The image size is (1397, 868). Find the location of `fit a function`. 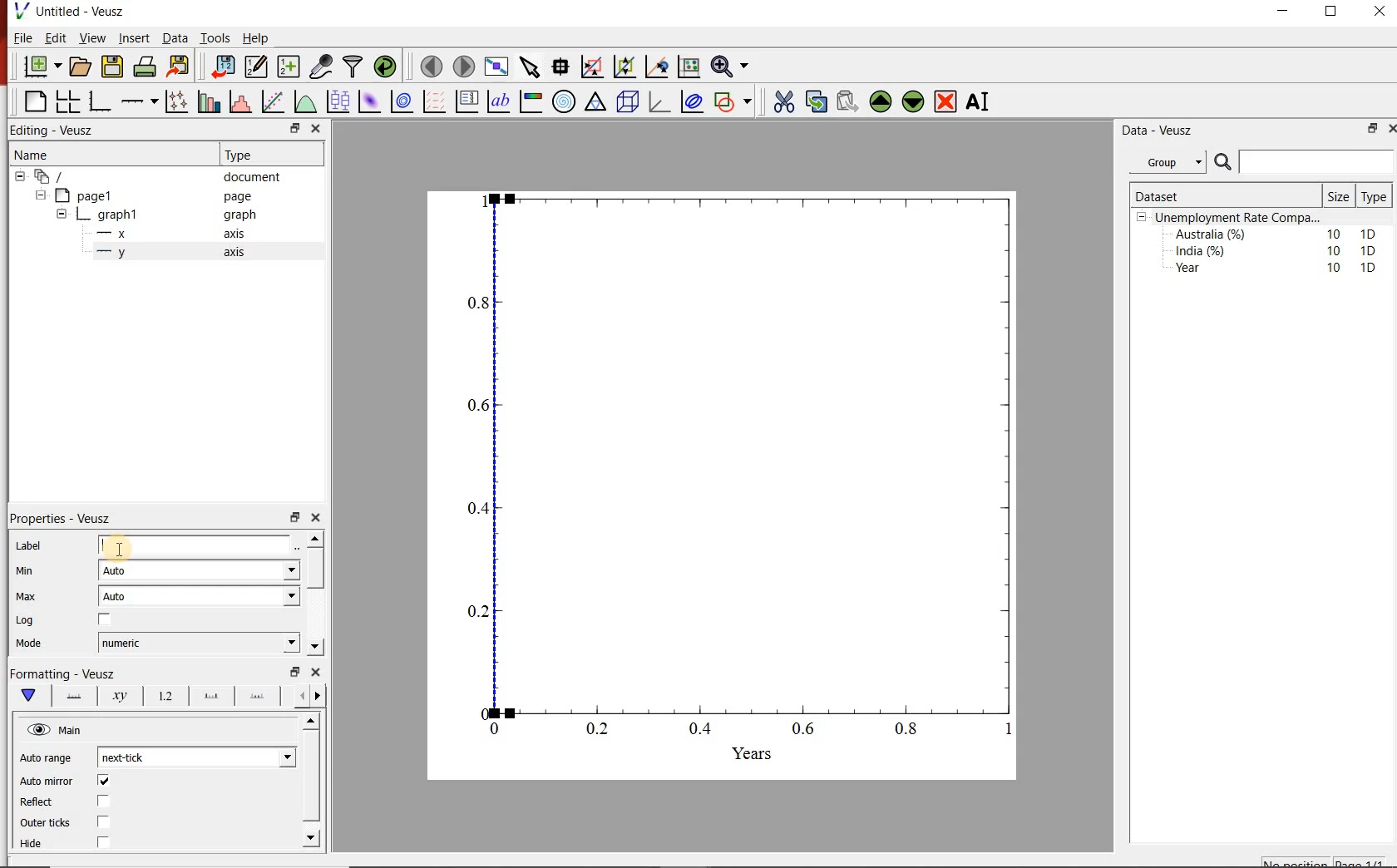

fit a function is located at coordinates (272, 101).